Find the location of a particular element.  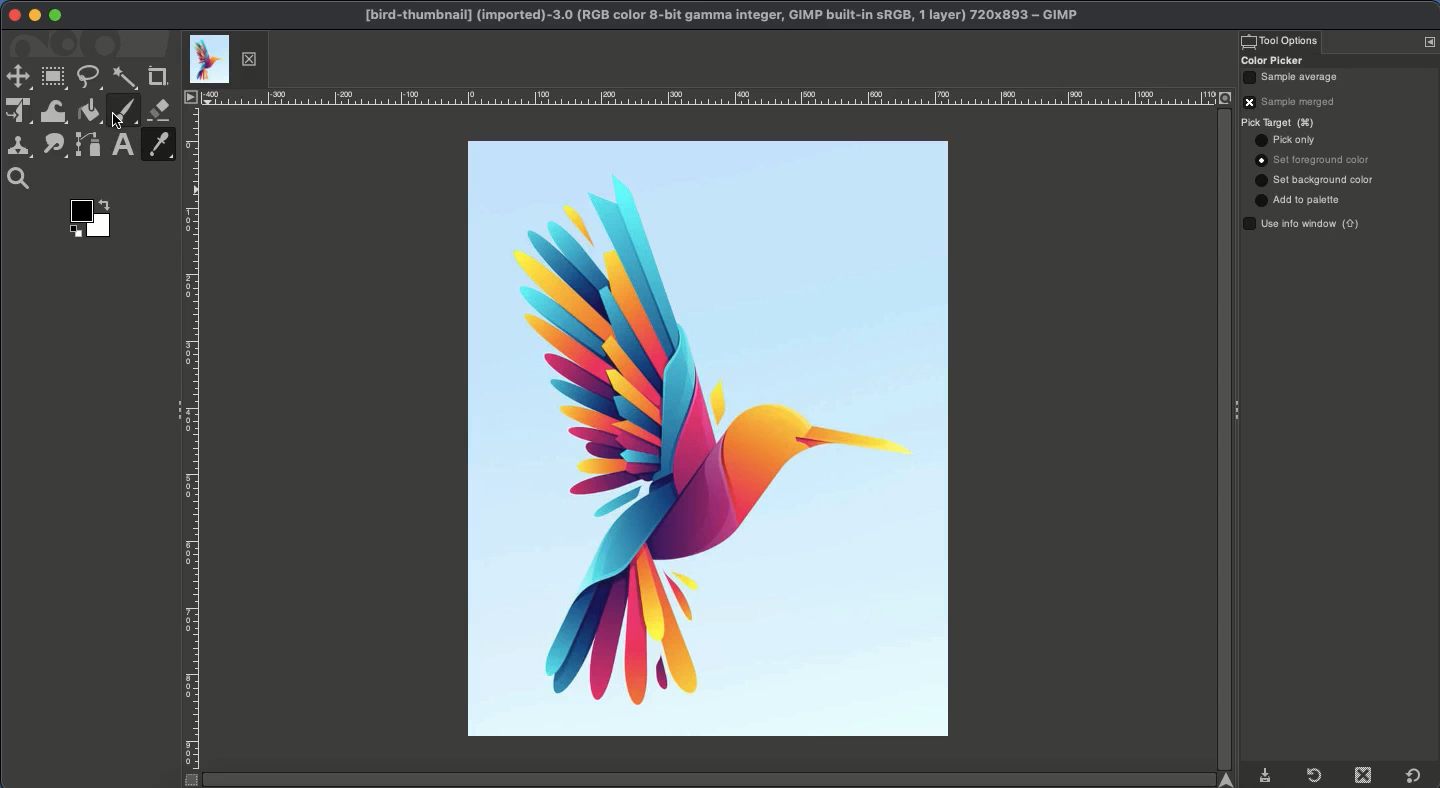

Use info window is located at coordinates (1304, 223).